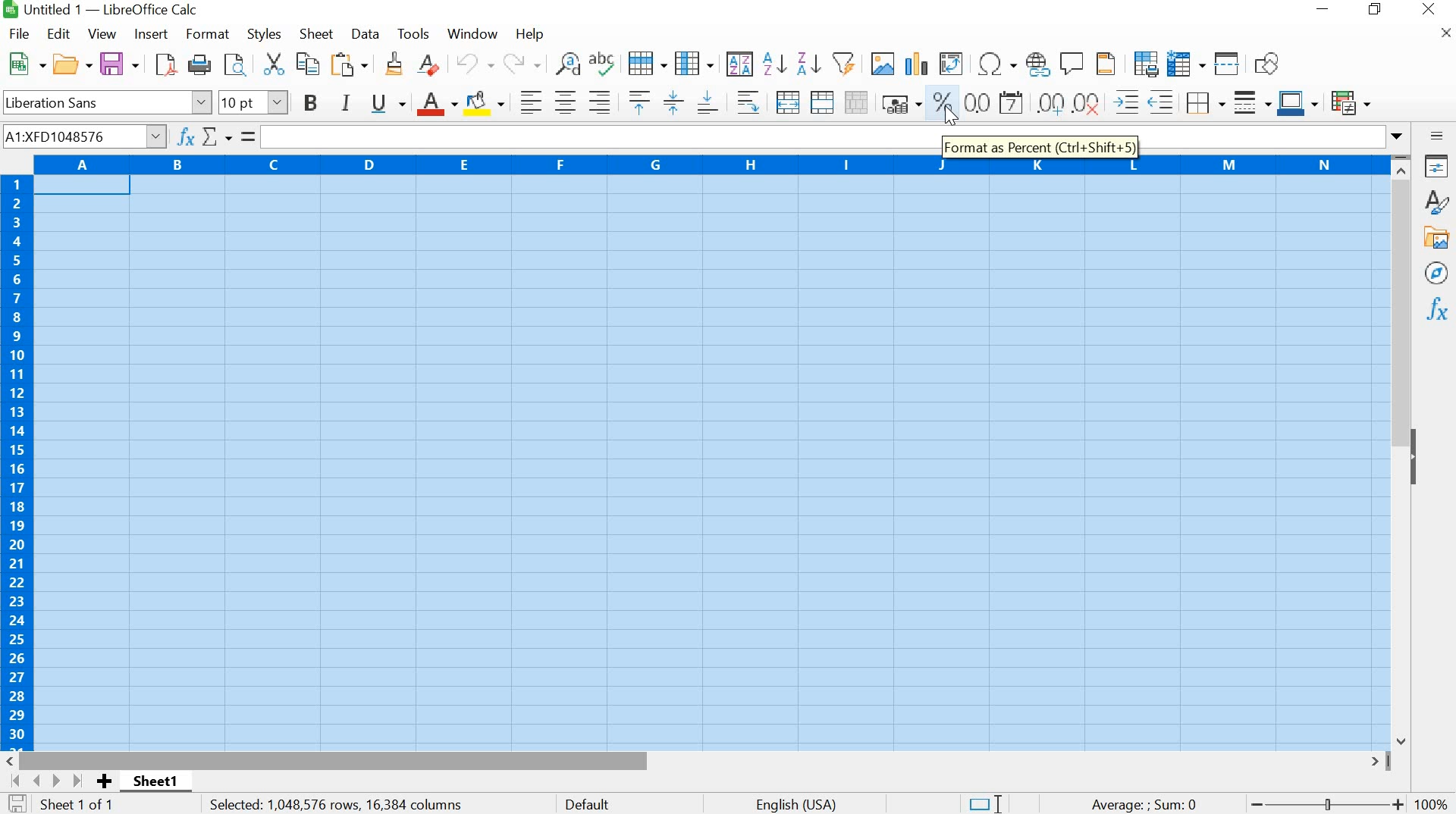 This screenshot has width=1456, height=814. I want to click on Function Wizard, so click(186, 136).